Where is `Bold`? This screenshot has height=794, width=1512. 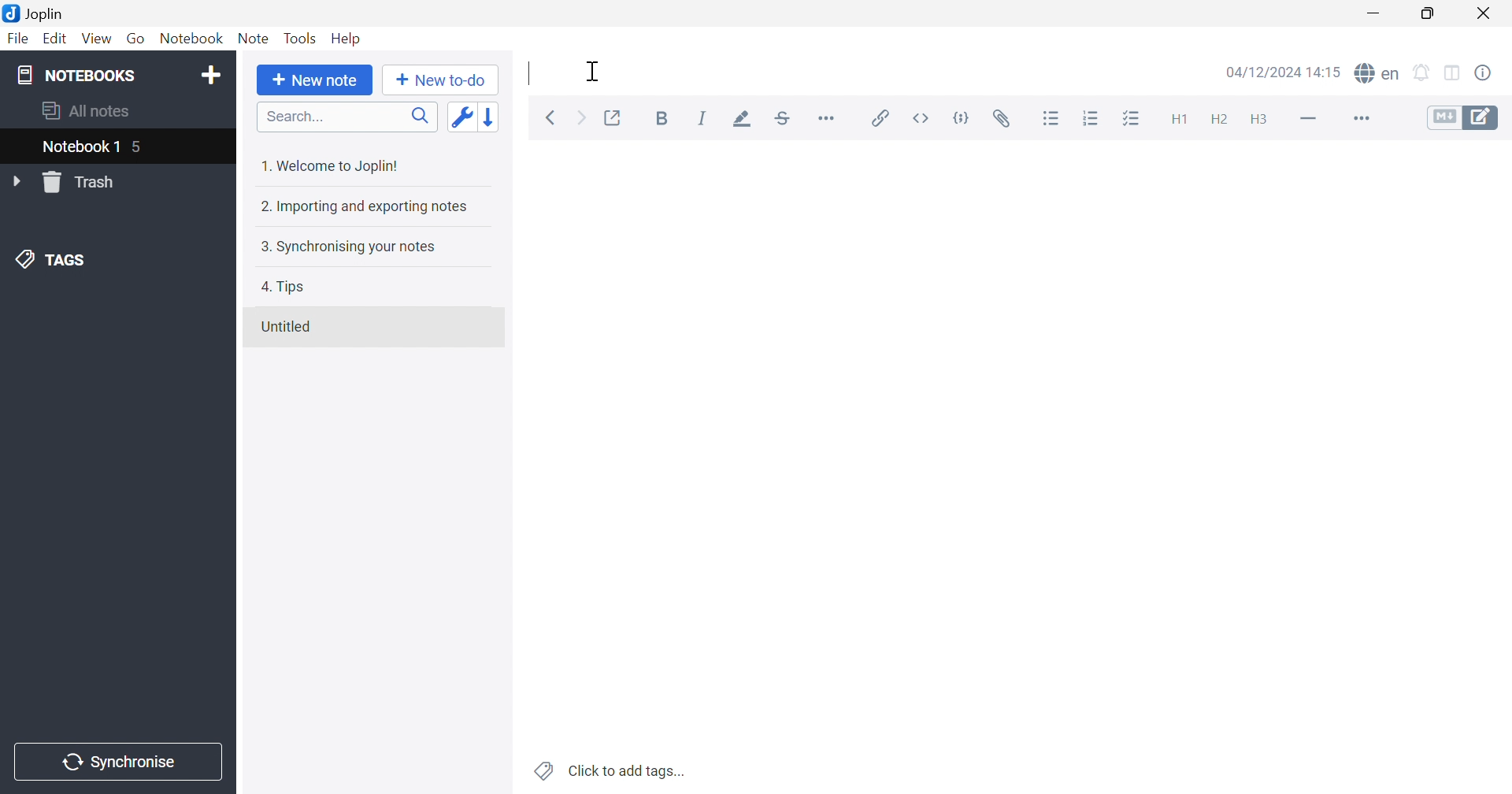
Bold is located at coordinates (666, 120).